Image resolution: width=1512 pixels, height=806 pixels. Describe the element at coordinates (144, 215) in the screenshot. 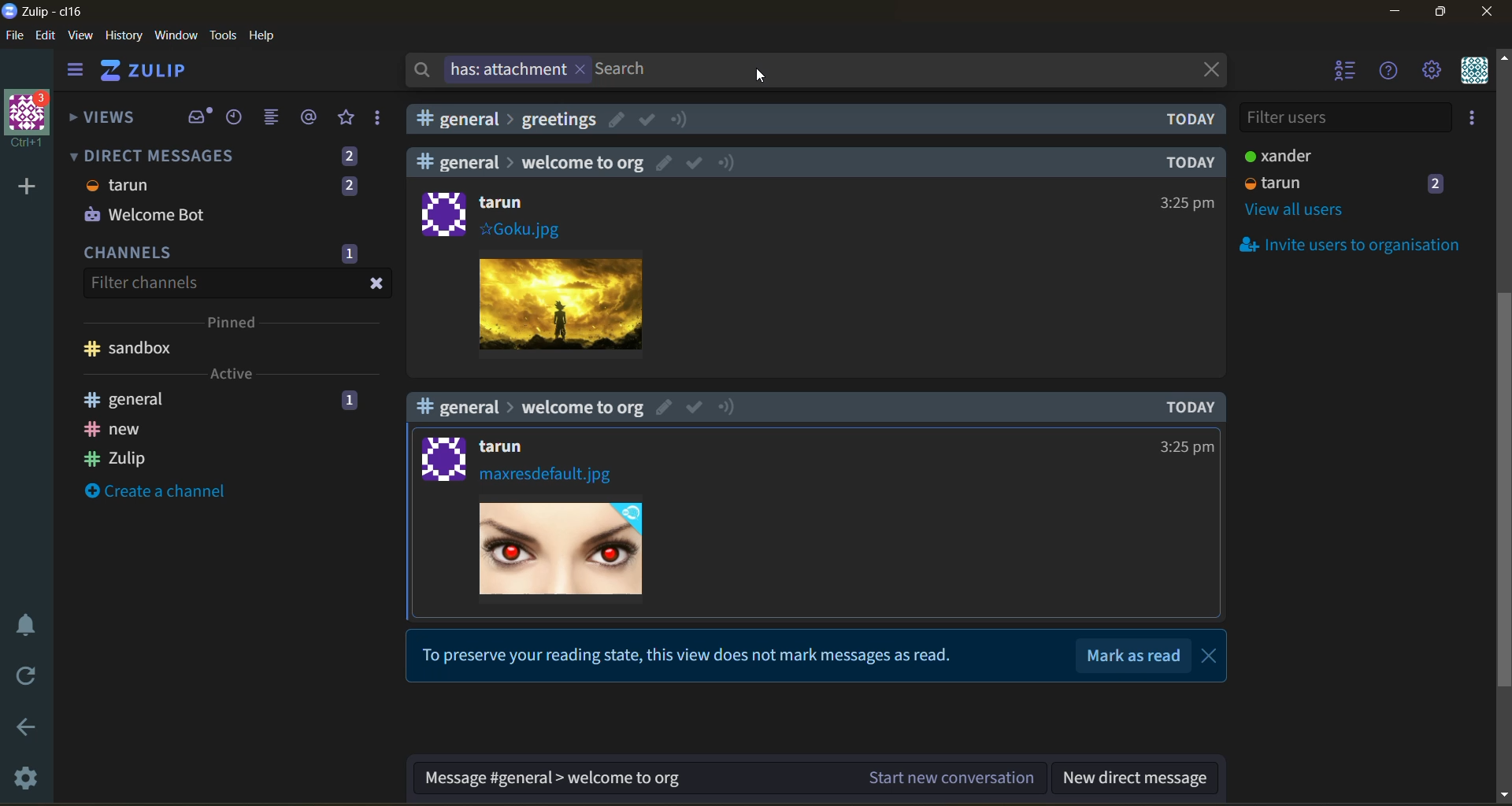

I see `Welcome Bot` at that location.